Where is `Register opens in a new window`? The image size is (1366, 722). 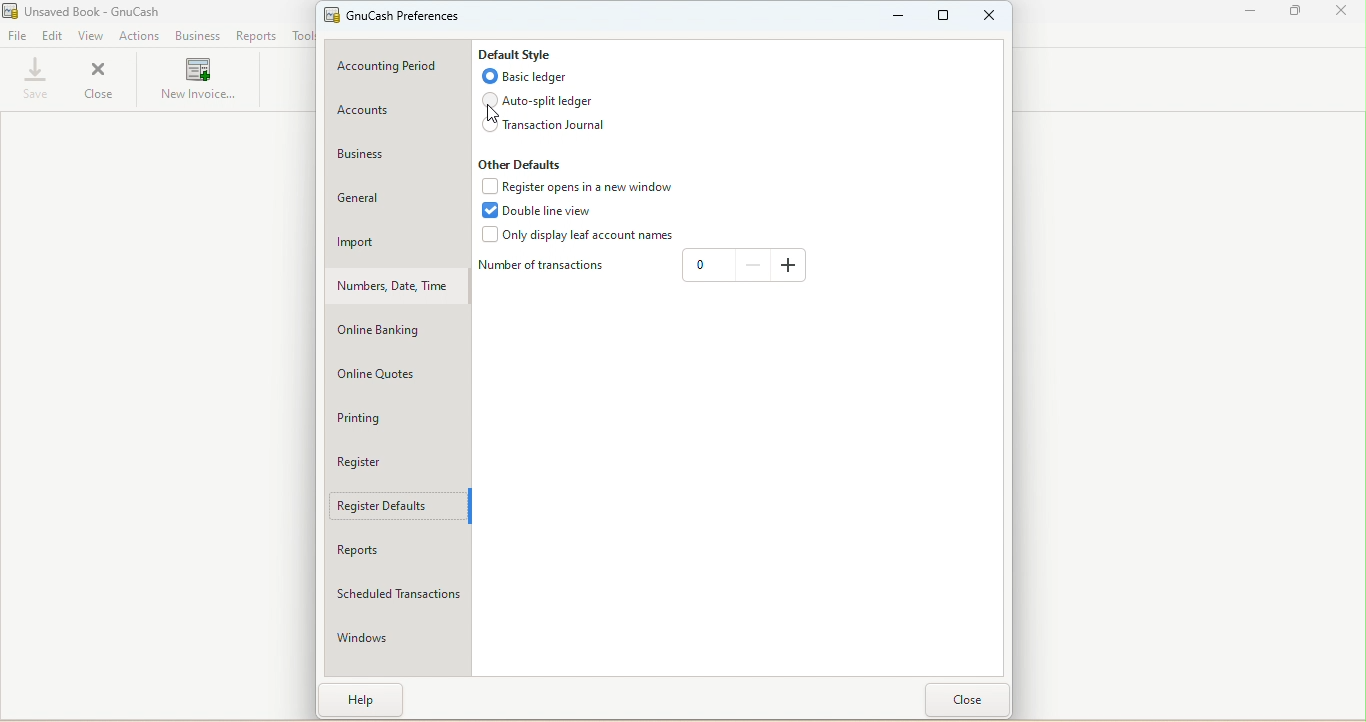
Register opens in a new window is located at coordinates (602, 185).